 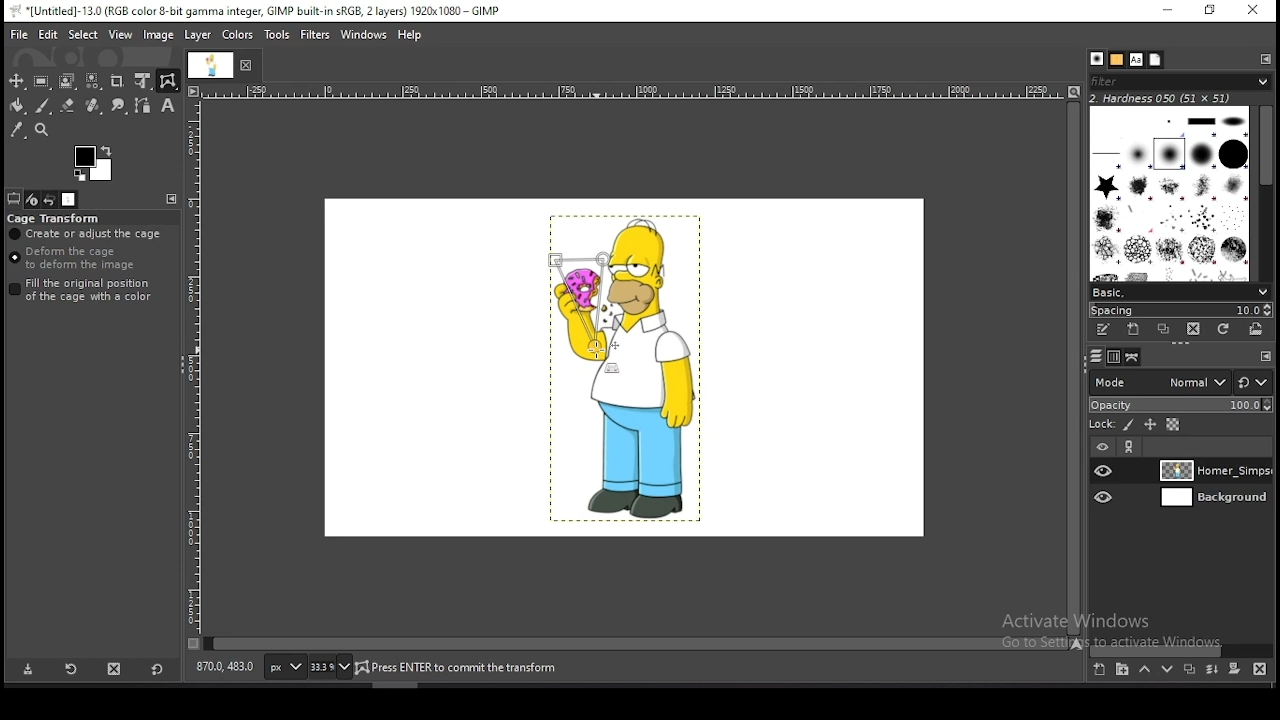 I want to click on lock, so click(x=1100, y=425).